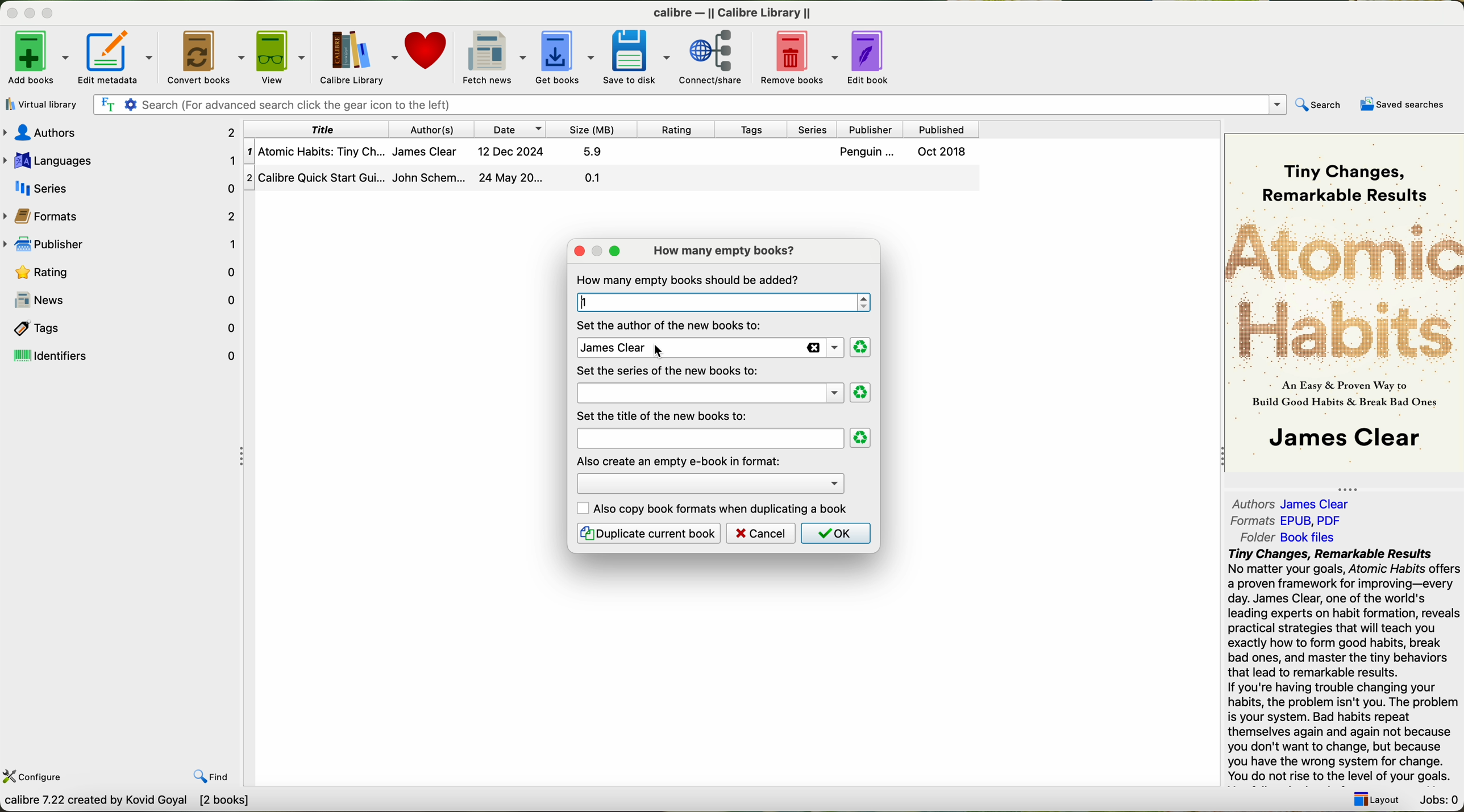 Image resolution: width=1464 pixels, height=812 pixels. Describe the element at coordinates (38, 57) in the screenshot. I see `click on add books options` at that location.